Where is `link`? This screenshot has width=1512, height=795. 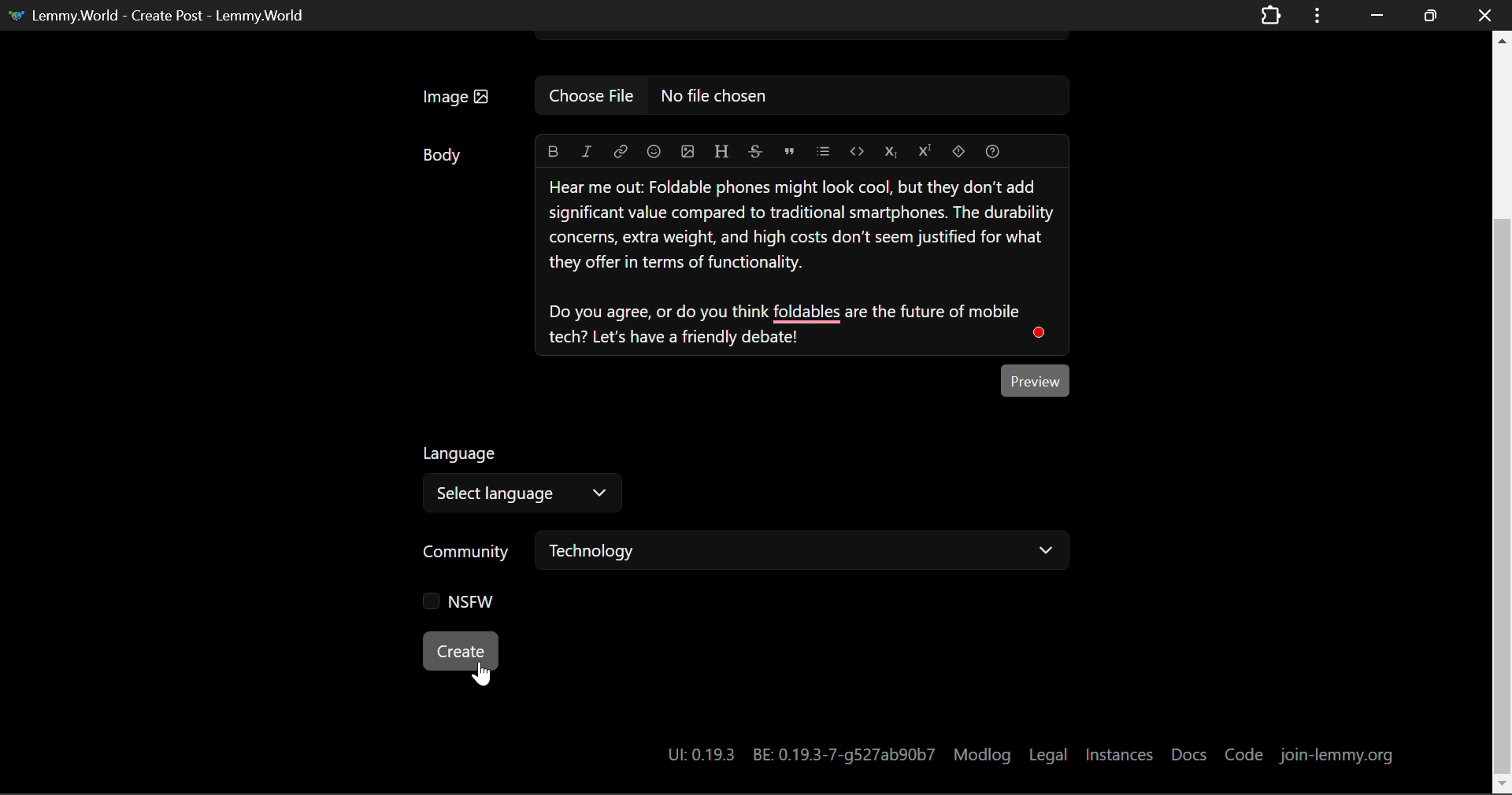 link is located at coordinates (621, 150).